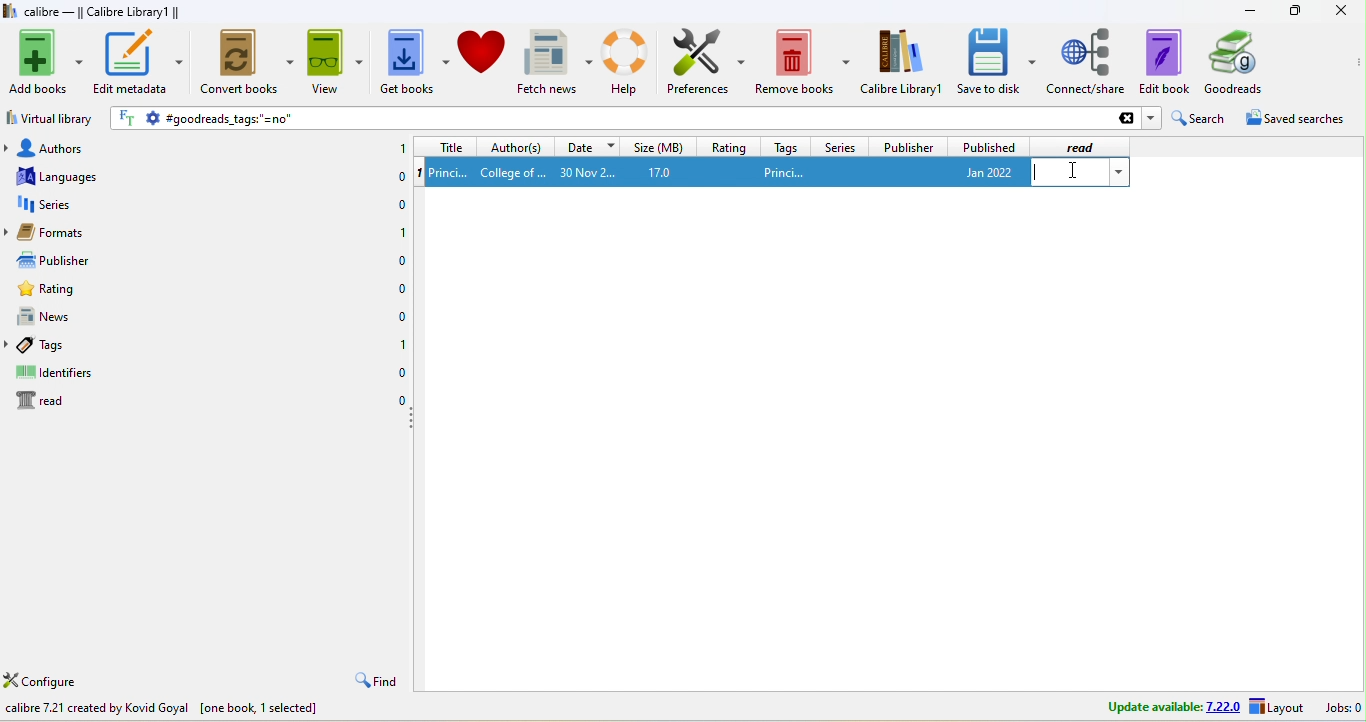 The width and height of the screenshot is (1366, 722). I want to click on configure, so click(53, 679).